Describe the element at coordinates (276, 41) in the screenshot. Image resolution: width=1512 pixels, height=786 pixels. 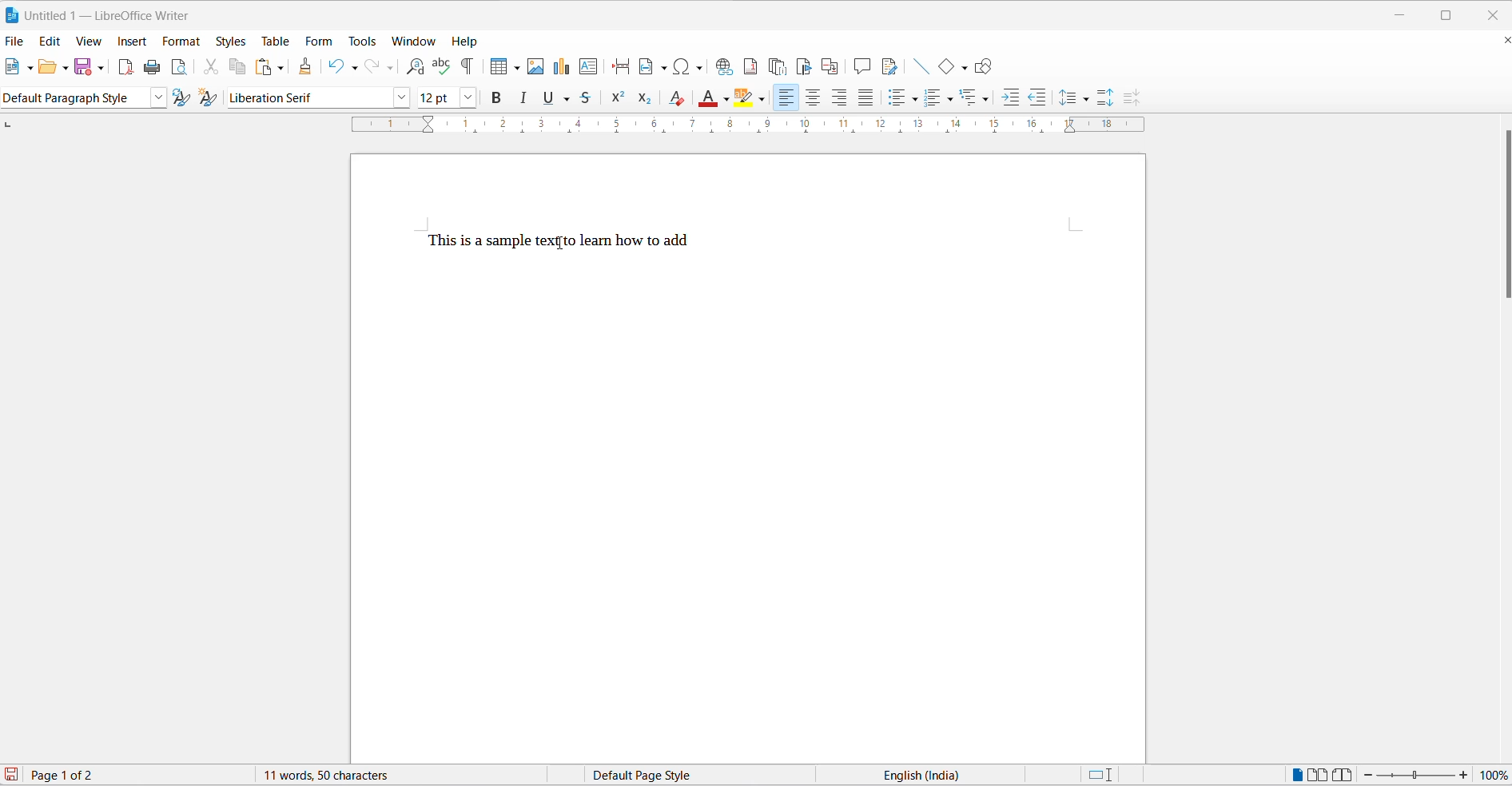
I see `table` at that location.